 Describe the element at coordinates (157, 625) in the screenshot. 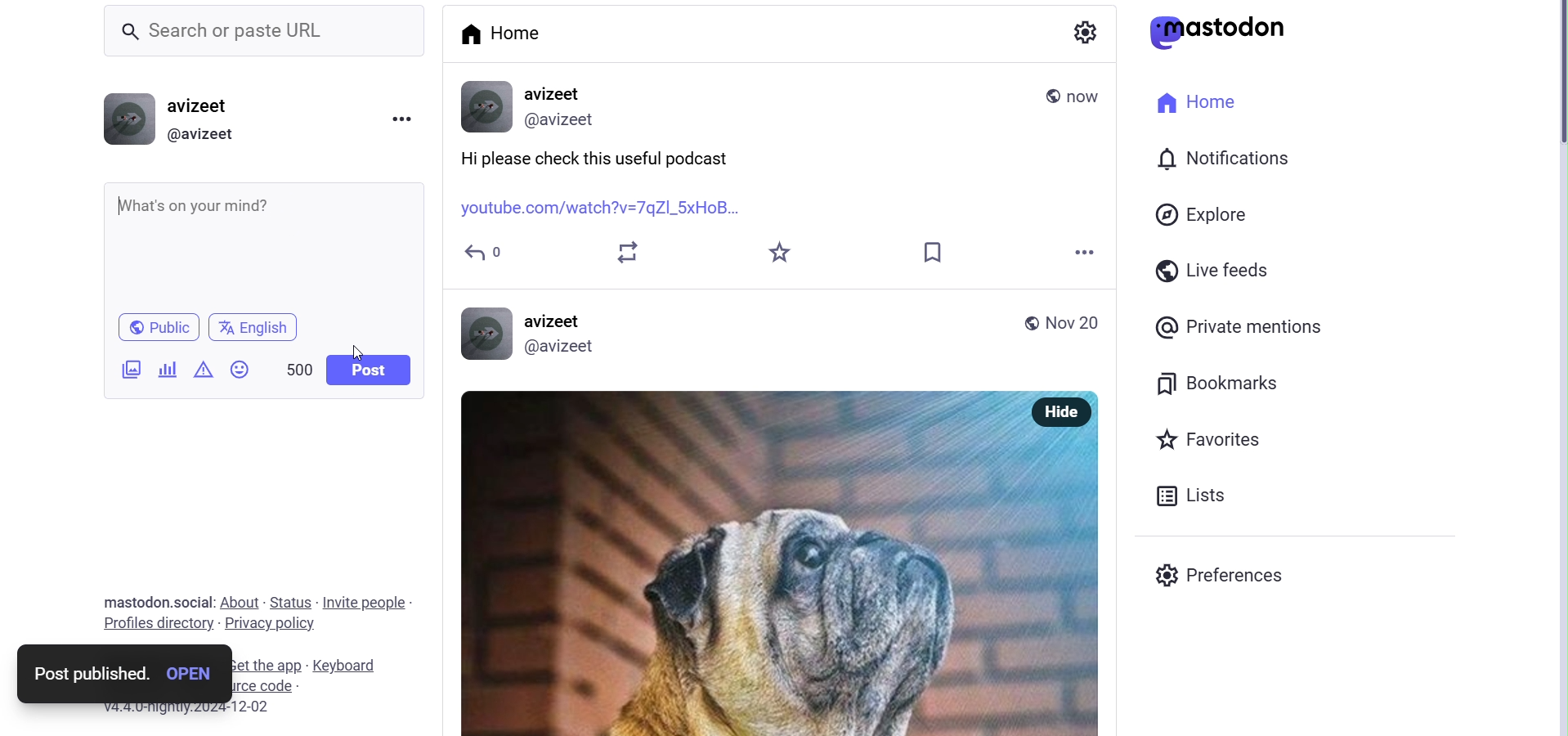

I see `profiles directory` at that location.